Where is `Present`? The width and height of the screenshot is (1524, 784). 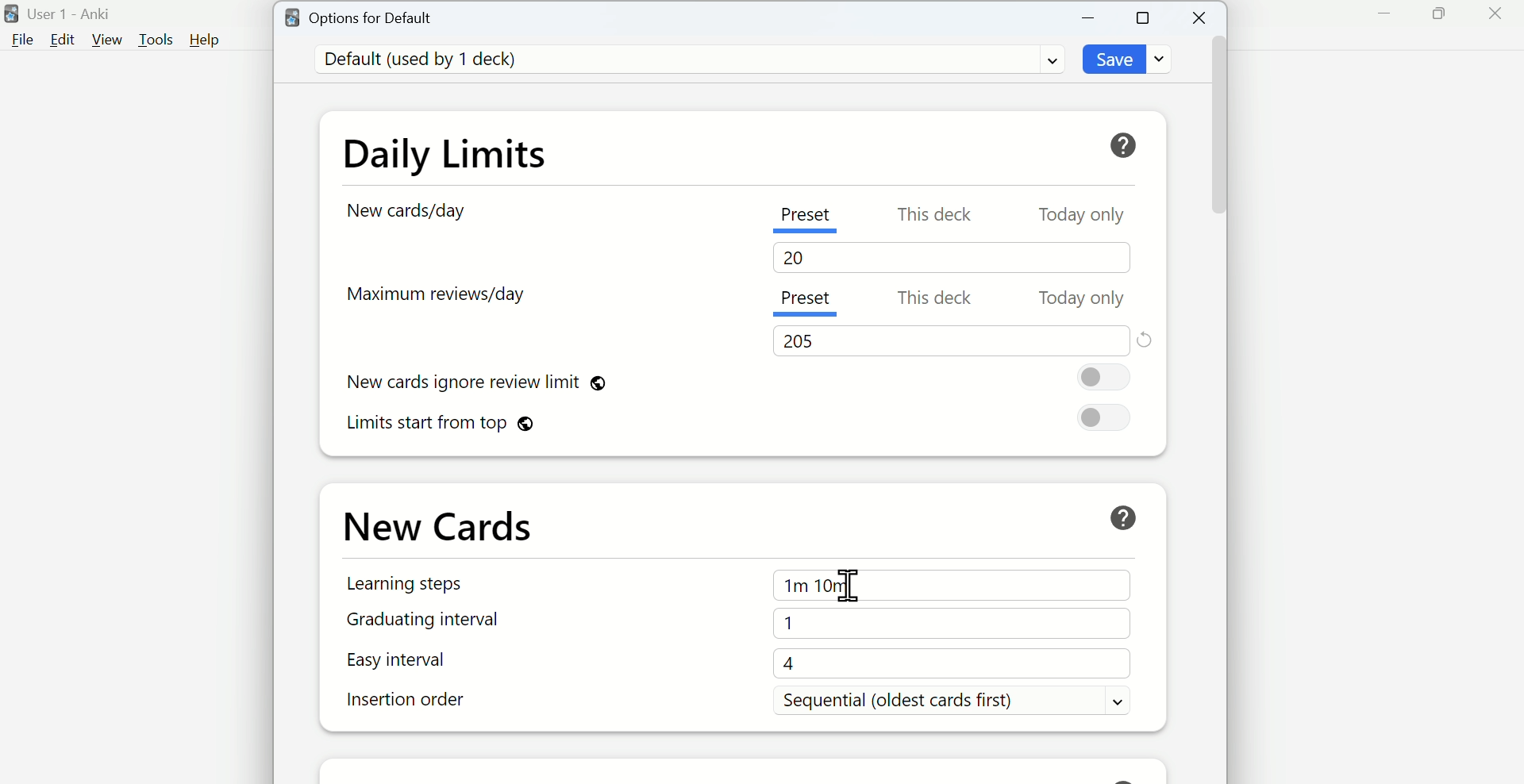
Present is located at coordinates (807, 299).